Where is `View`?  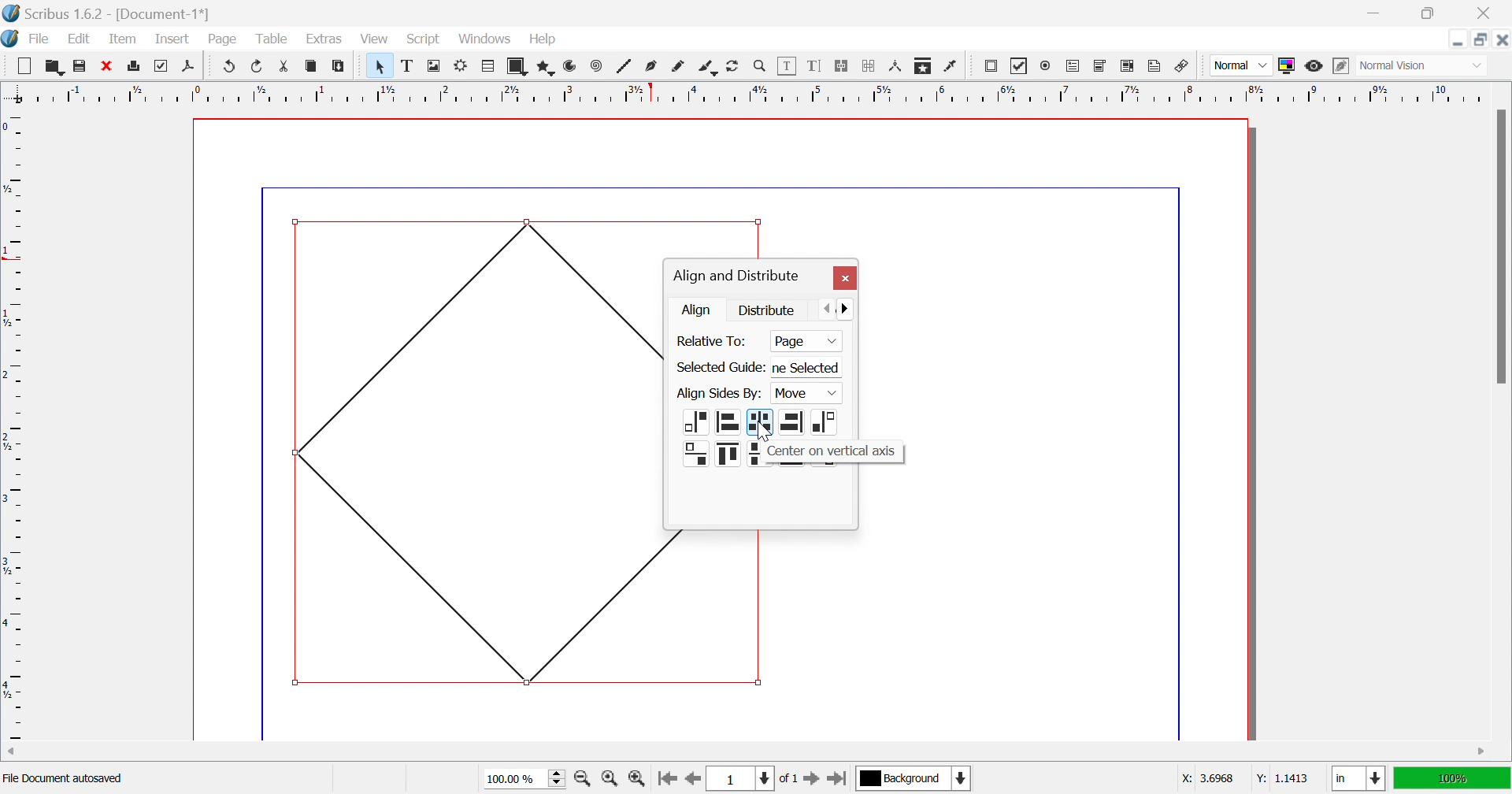
View is located at coordinates (374, 39).